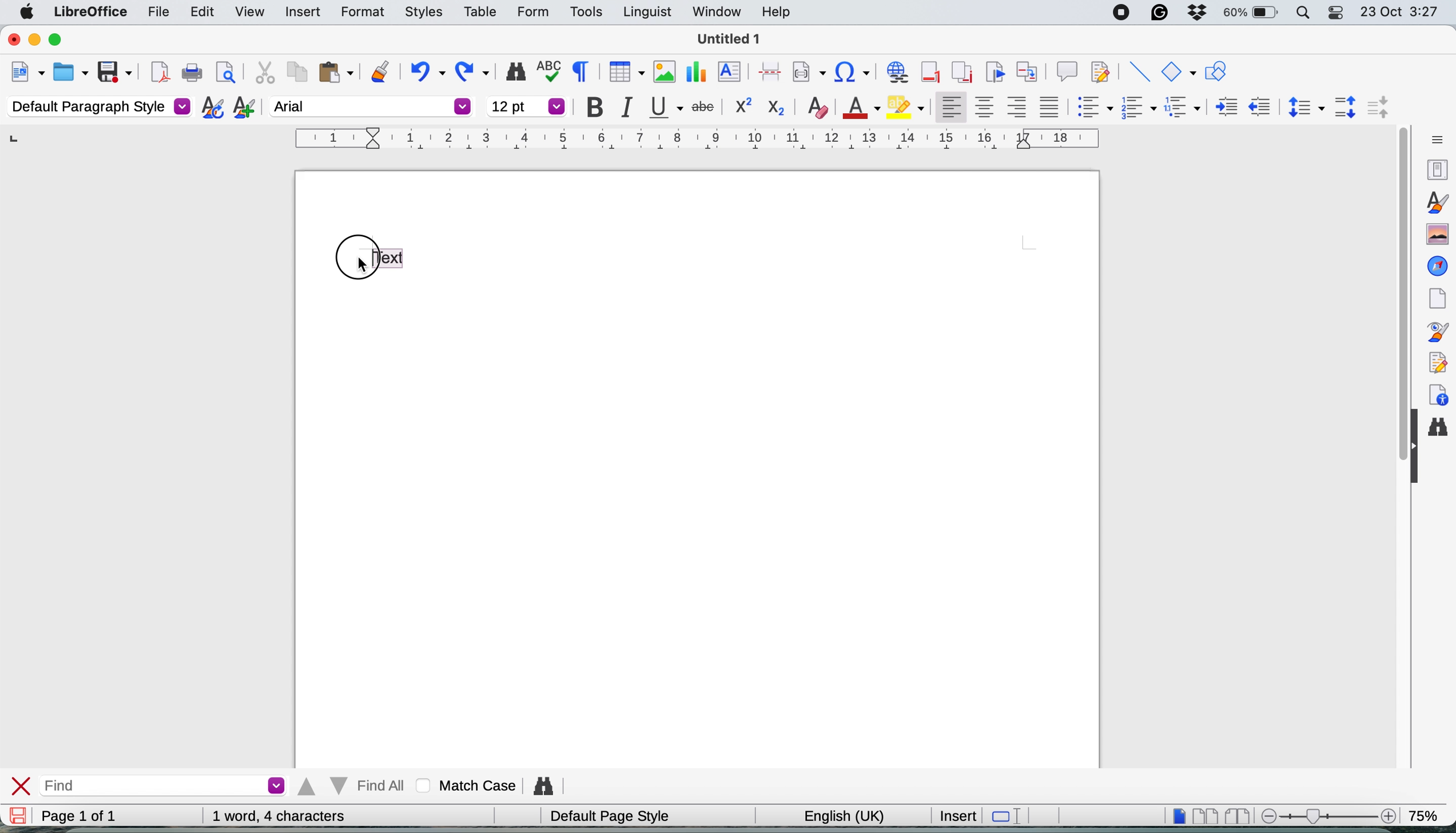 This screenshot has width=1456, height=833. Describe the element at coordinates (778, 106) in the screenshot. I see `sub script` at that location.